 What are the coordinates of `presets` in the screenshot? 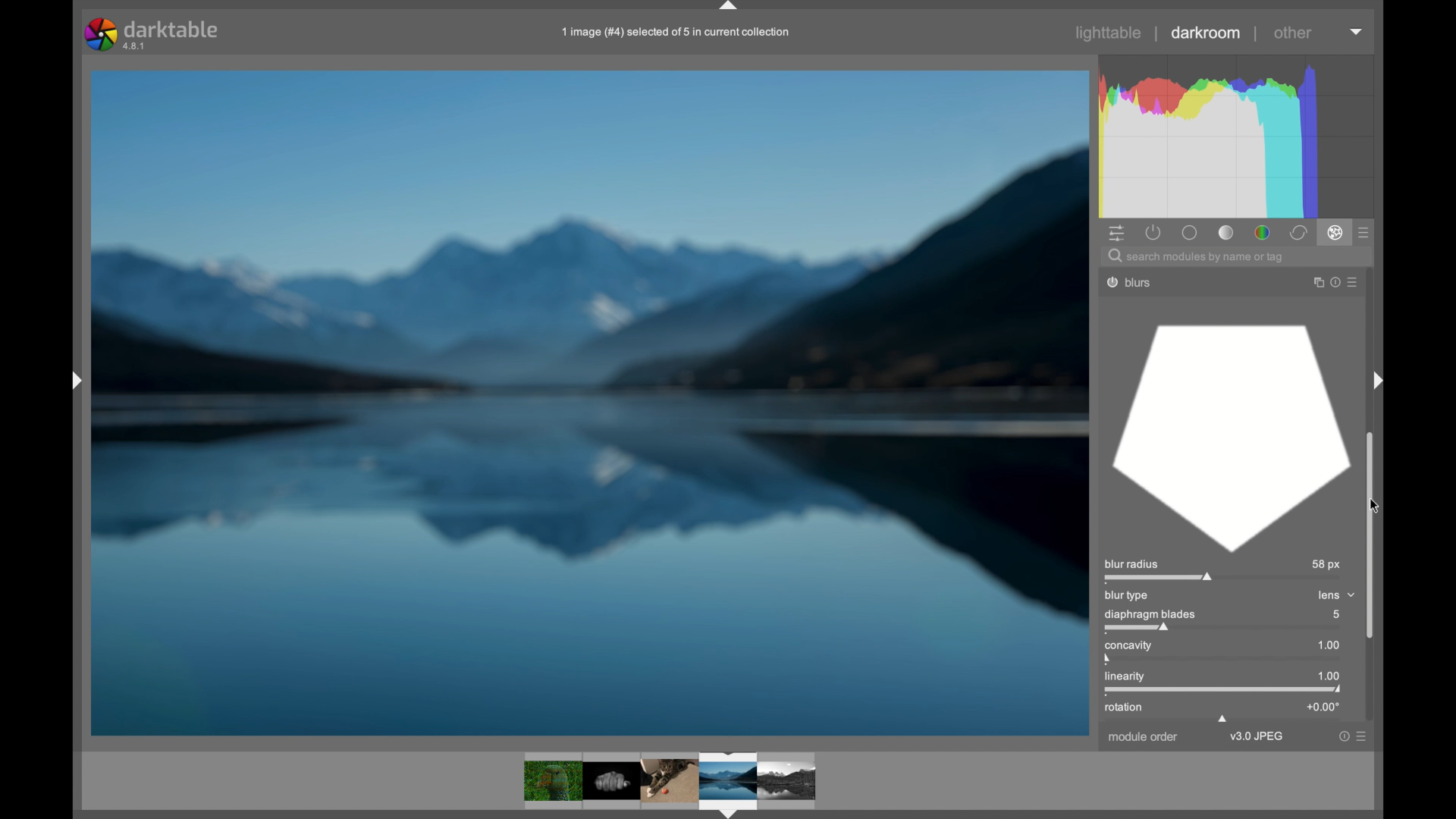 It's located at (1365, 232).